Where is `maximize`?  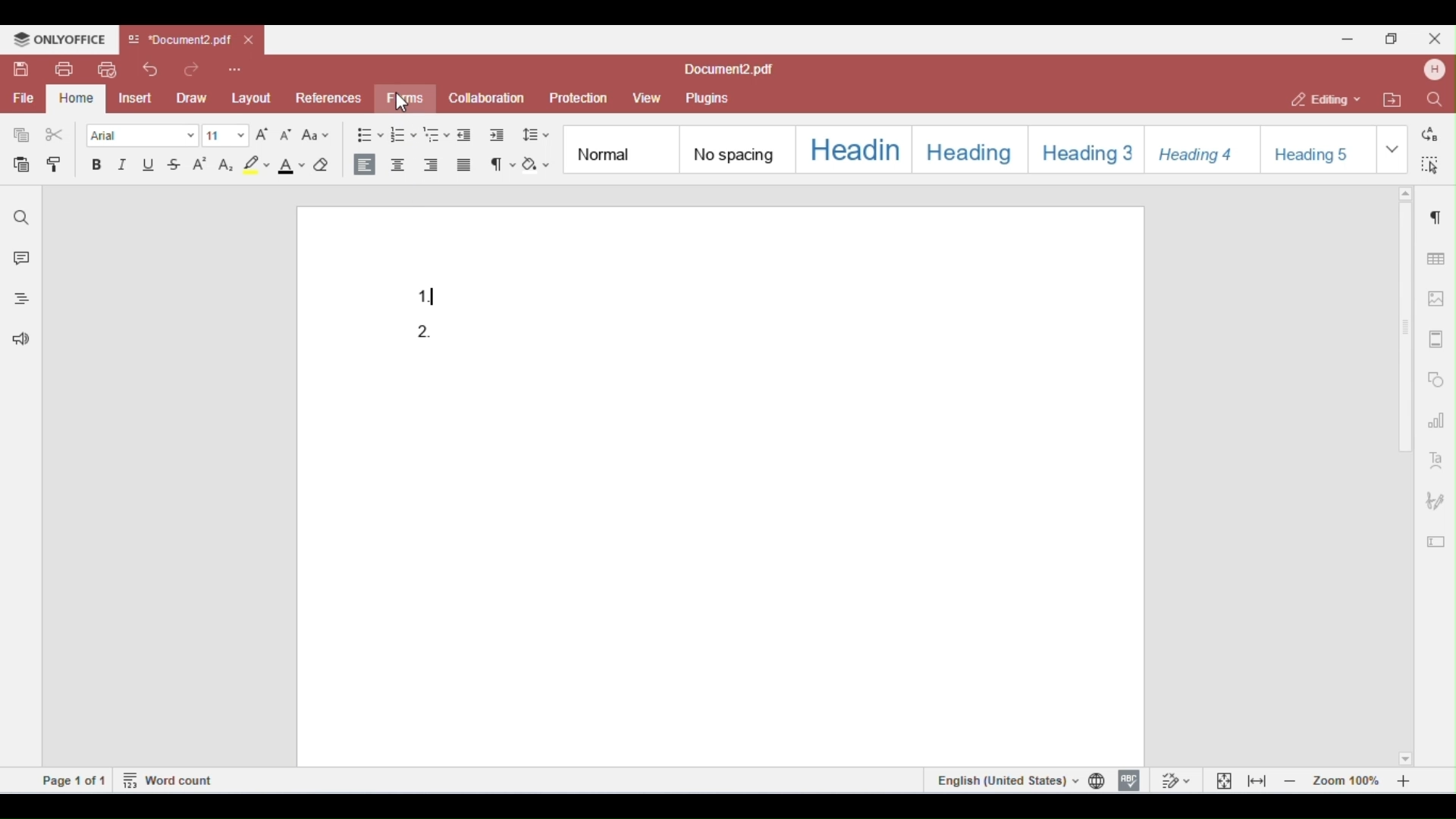
maximize is located at coordinates (1395, 38).